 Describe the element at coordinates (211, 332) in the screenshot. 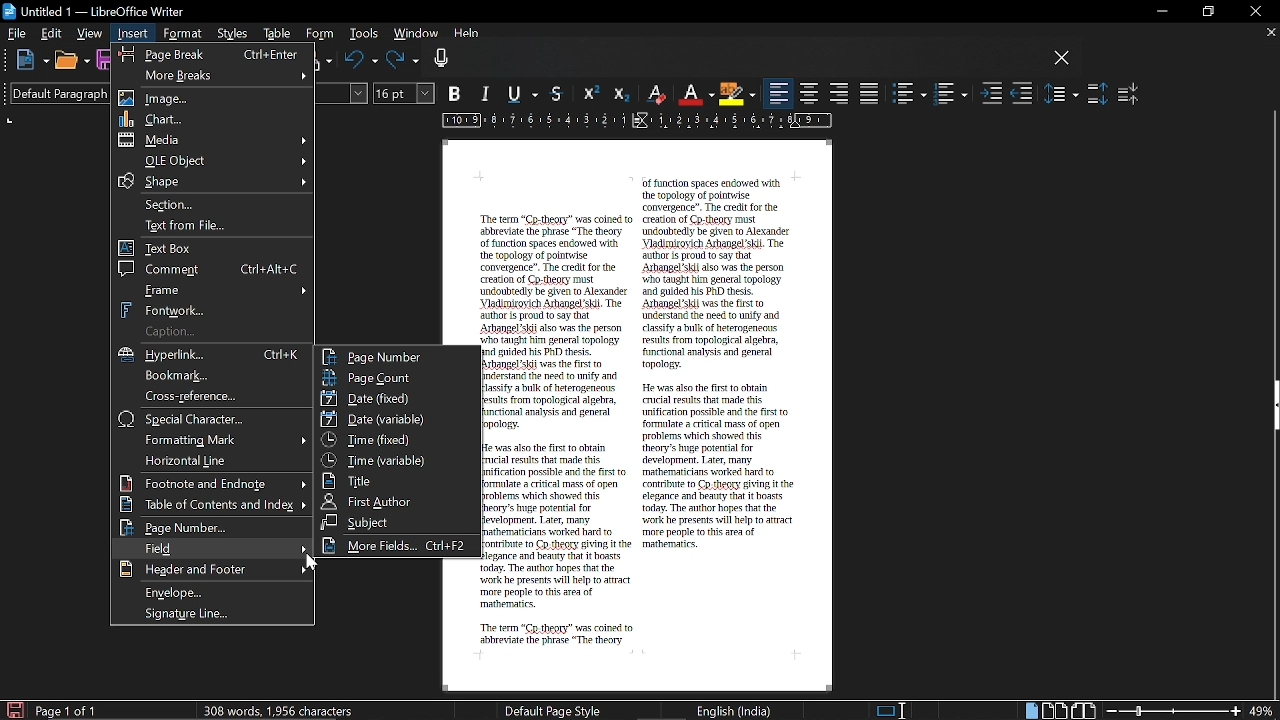

I see `Caption` at that location.